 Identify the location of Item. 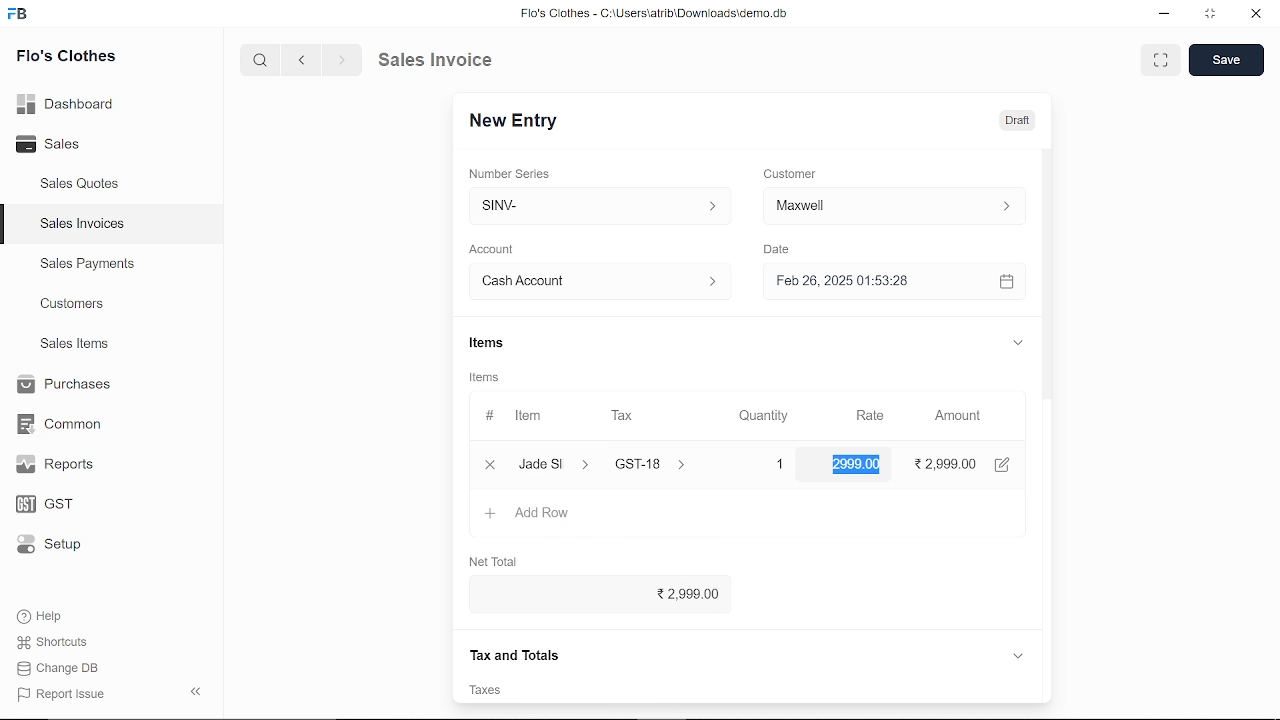
(517, 417).